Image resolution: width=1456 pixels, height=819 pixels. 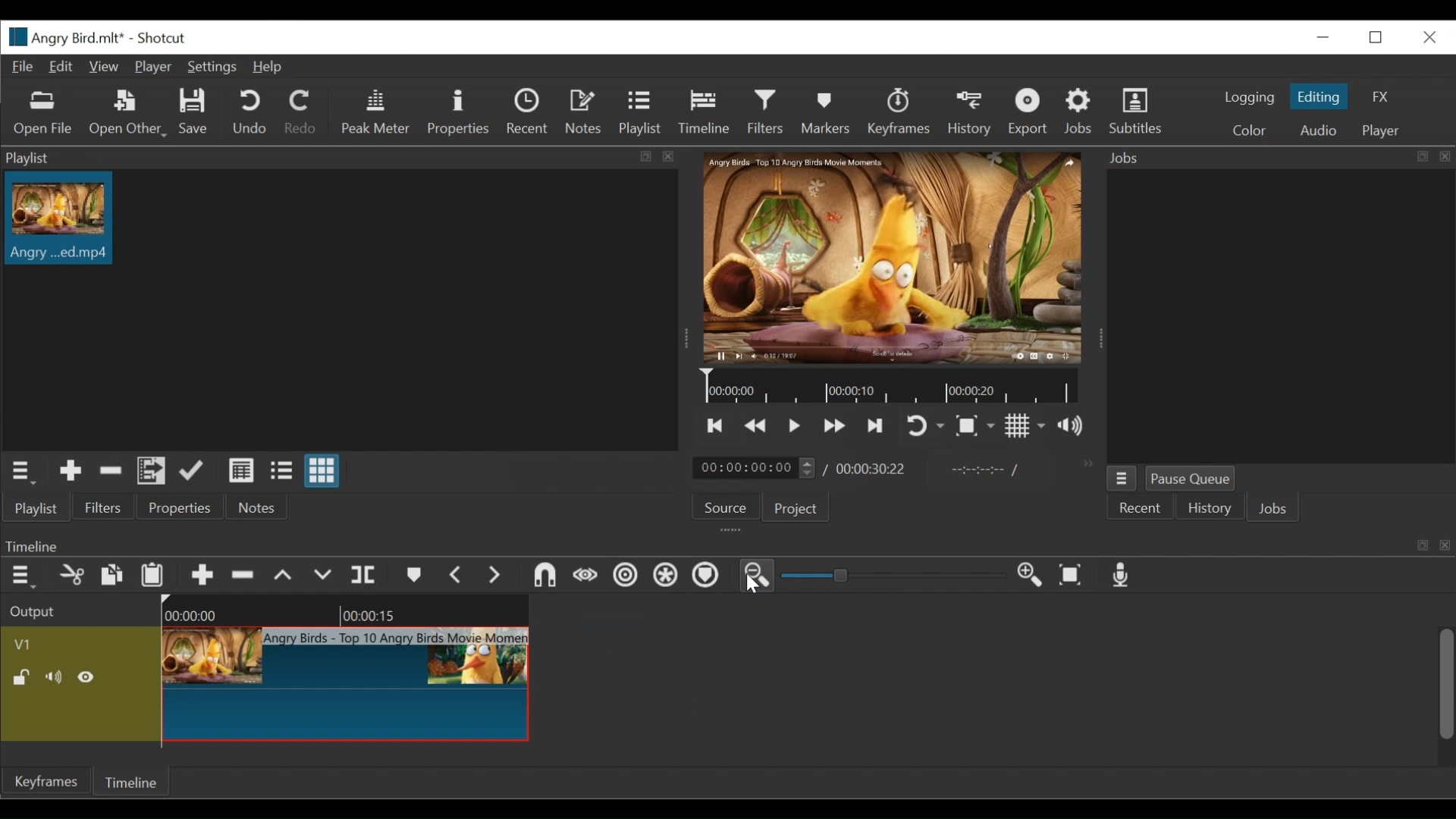 I want to click on Undo, so click(x=249, y=112).